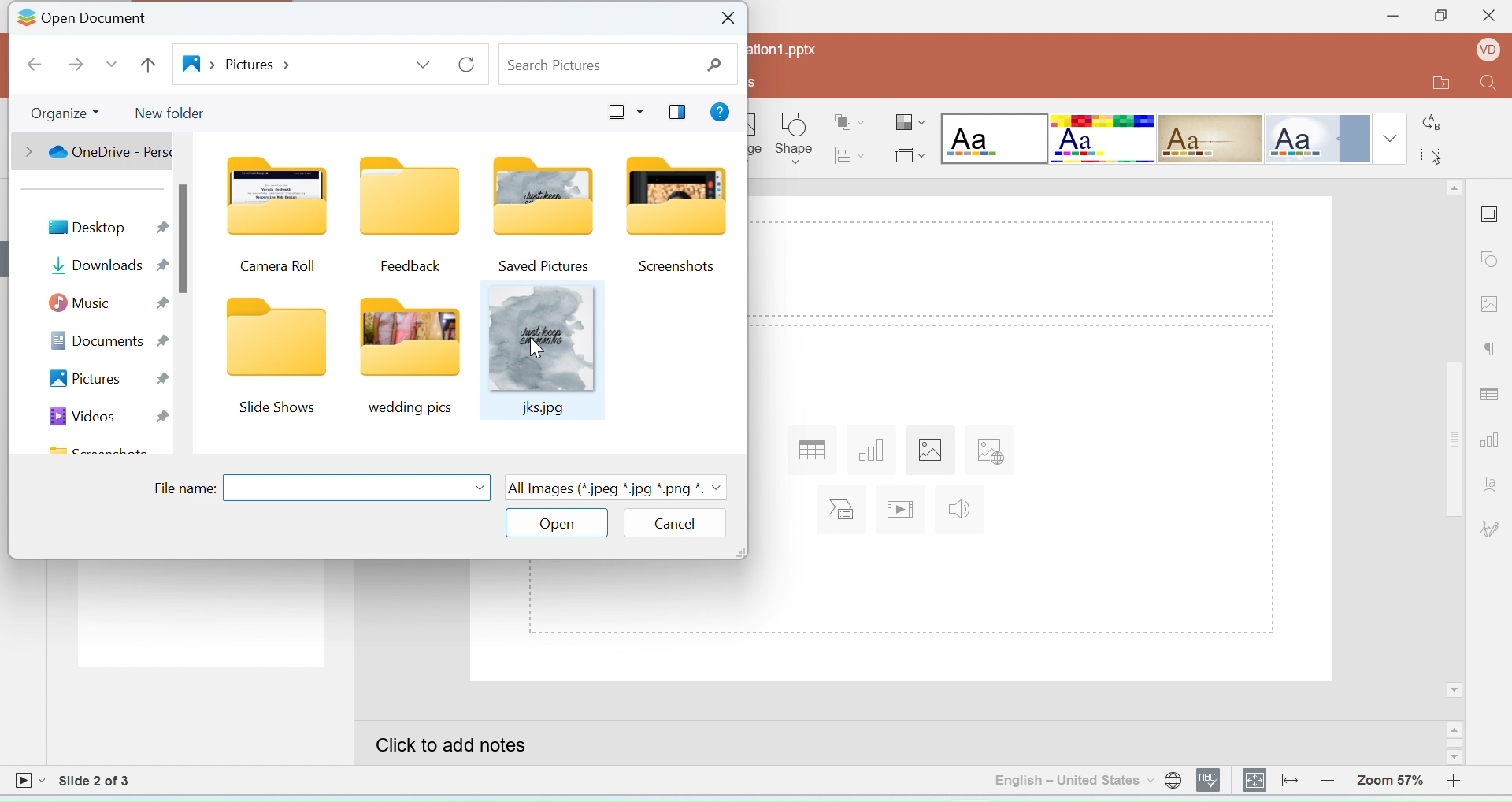  Describe the element at coordinates (617, 490) in the screenshot. I see `file format` at that location.